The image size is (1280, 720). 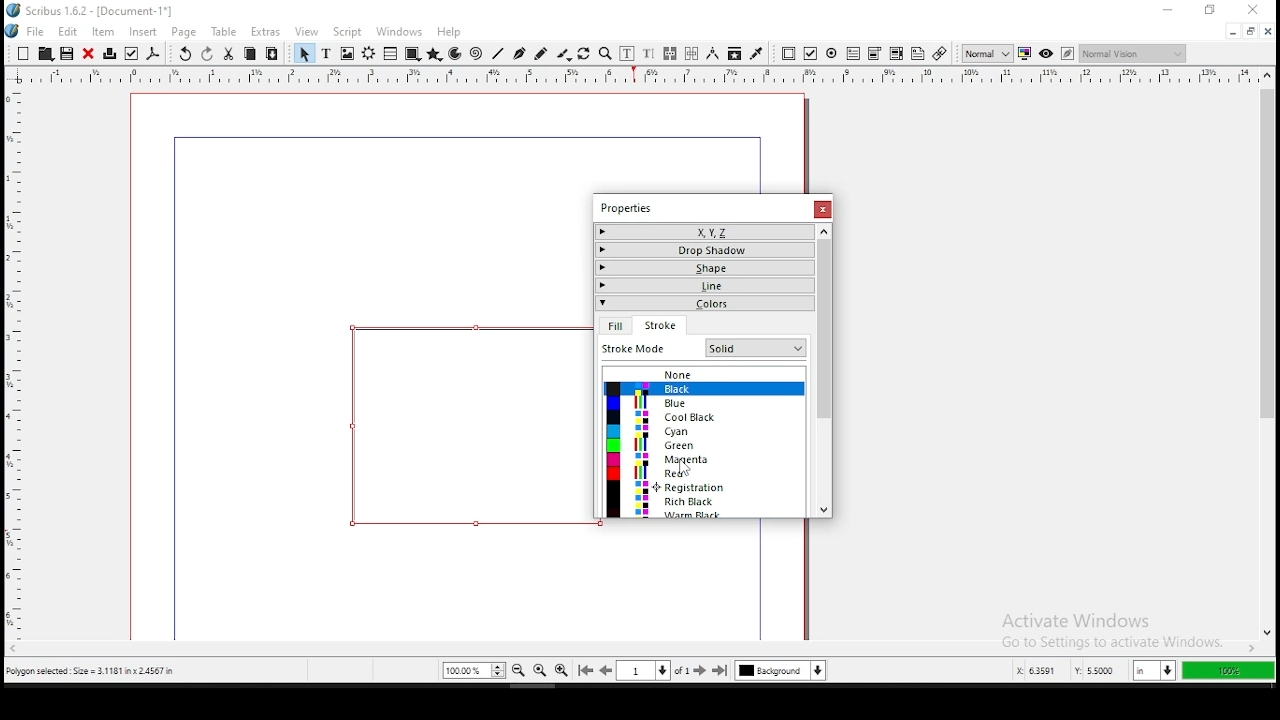 What do you see at coordinates (44, 53) in the screenshot?
I see `open` at bounding box center [44, 53].